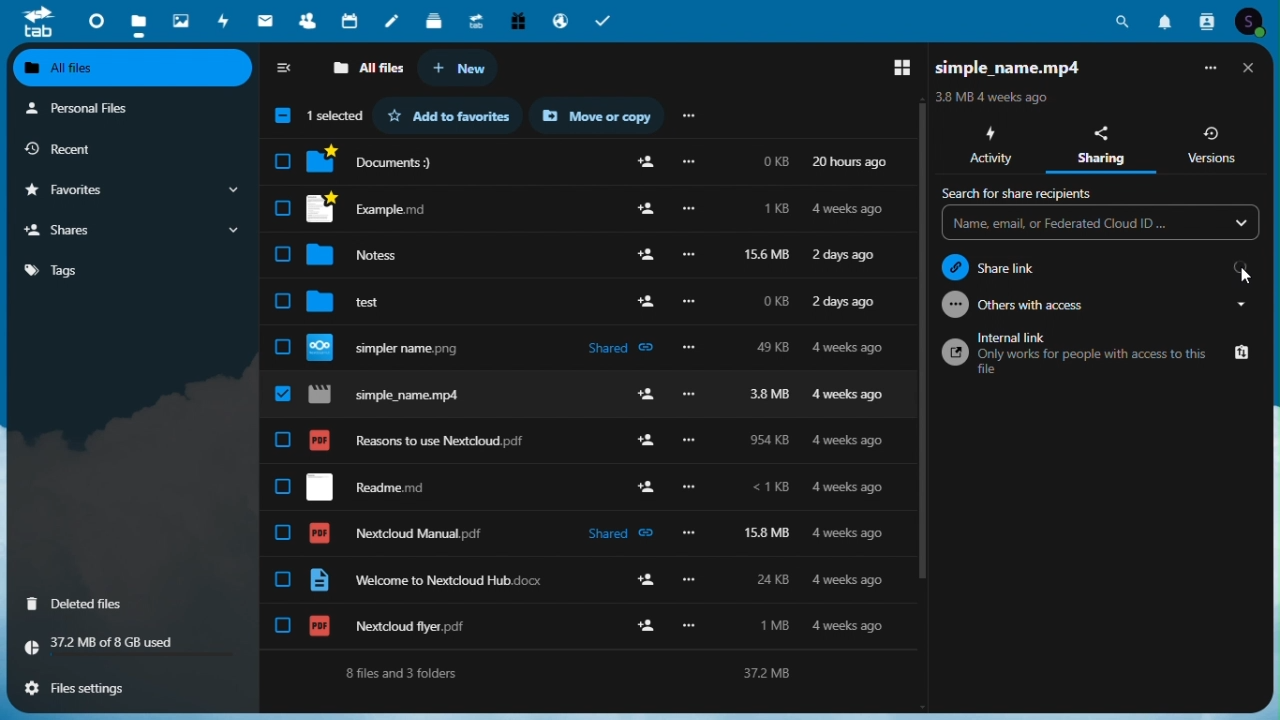 This screenshot has height=720, width=1280. I want to click on Sharing, so click(1101, 149).